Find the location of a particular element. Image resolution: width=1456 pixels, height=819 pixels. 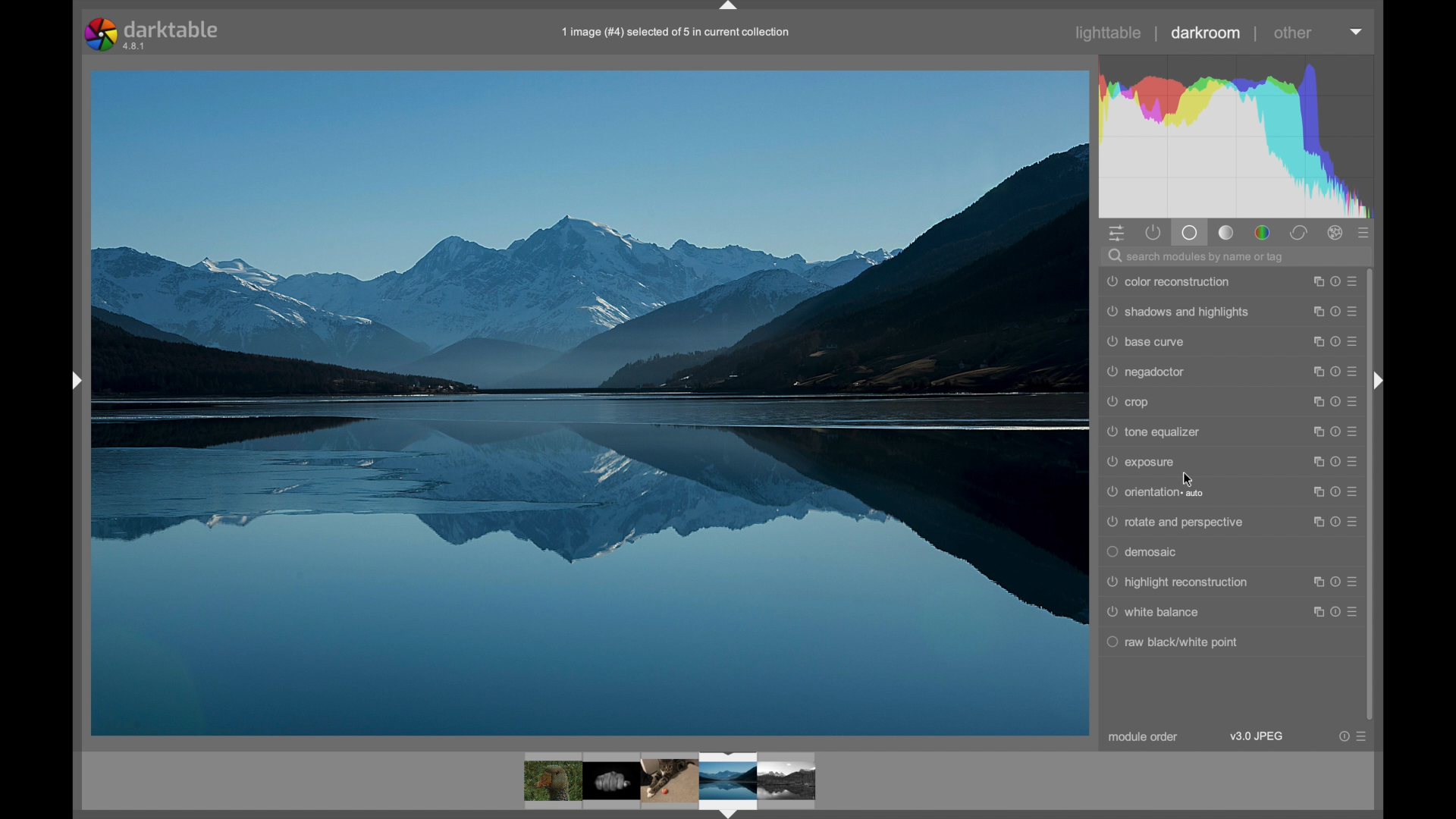

filename is located at coordinates (676, 32).